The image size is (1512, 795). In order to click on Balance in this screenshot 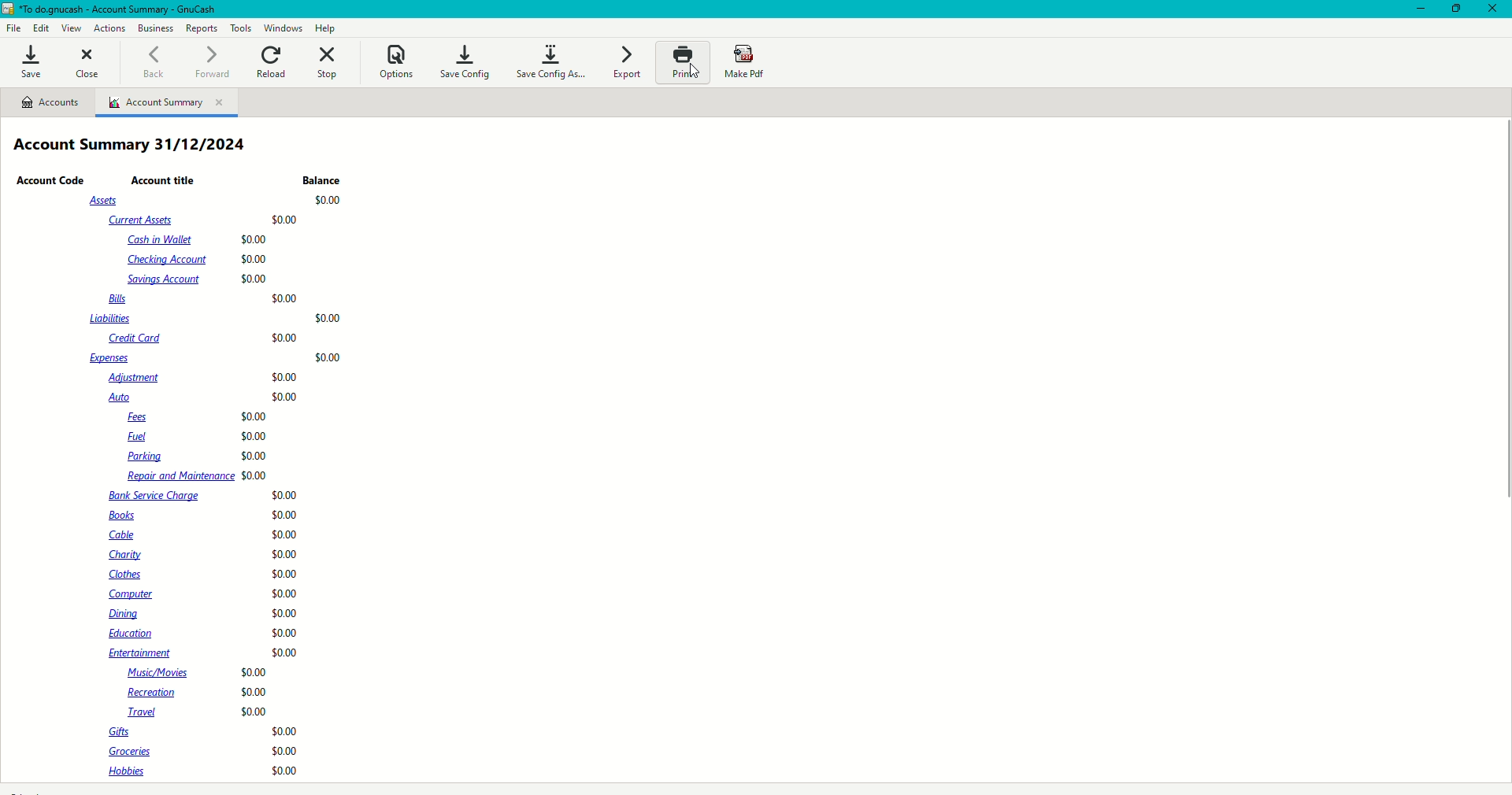, I will do `click(323, 181)`.